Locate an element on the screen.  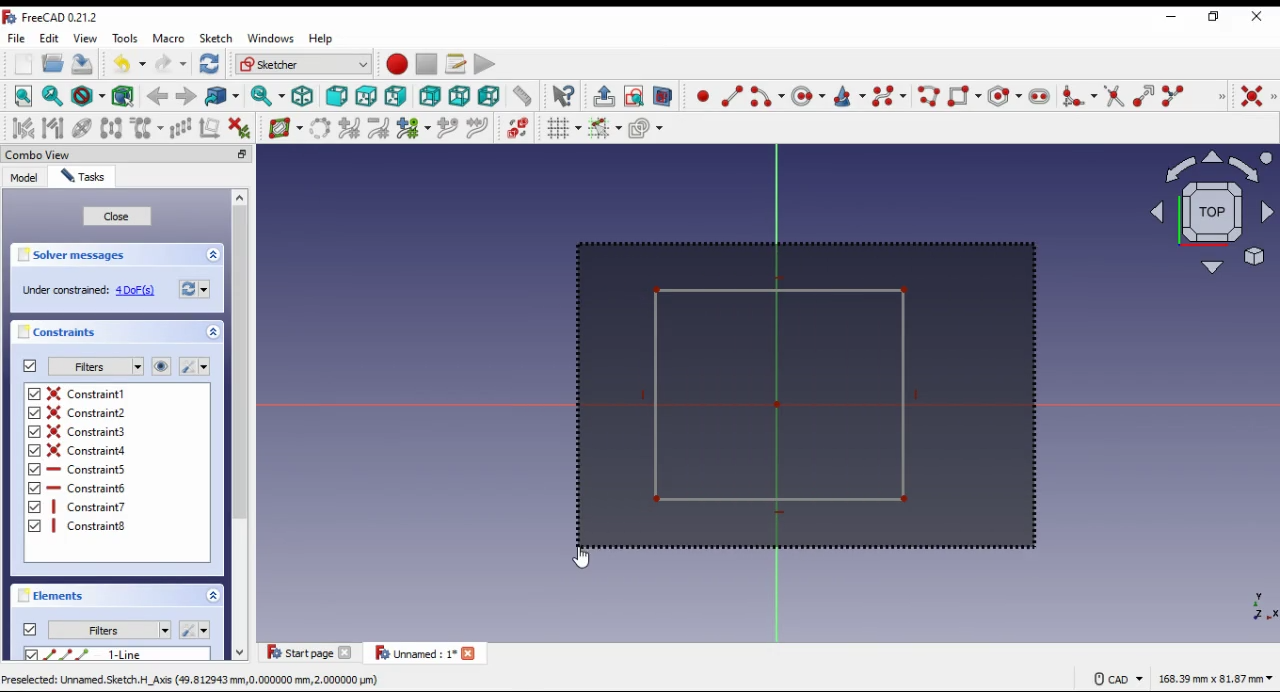
modify knot multiplicity is located at coordinates (413, 127).